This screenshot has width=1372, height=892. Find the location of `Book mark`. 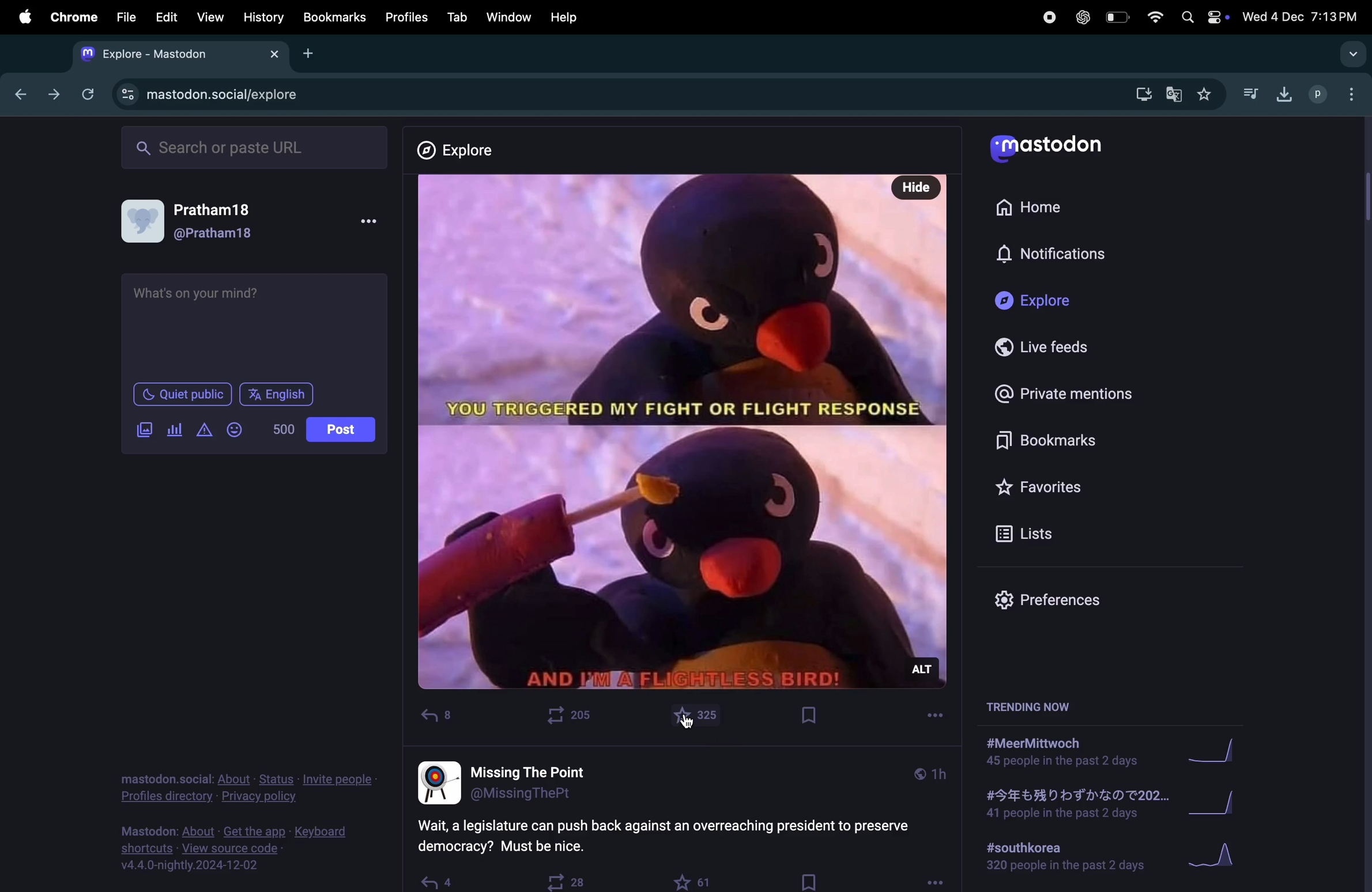

Book mark is located at coordinates (813, 715).